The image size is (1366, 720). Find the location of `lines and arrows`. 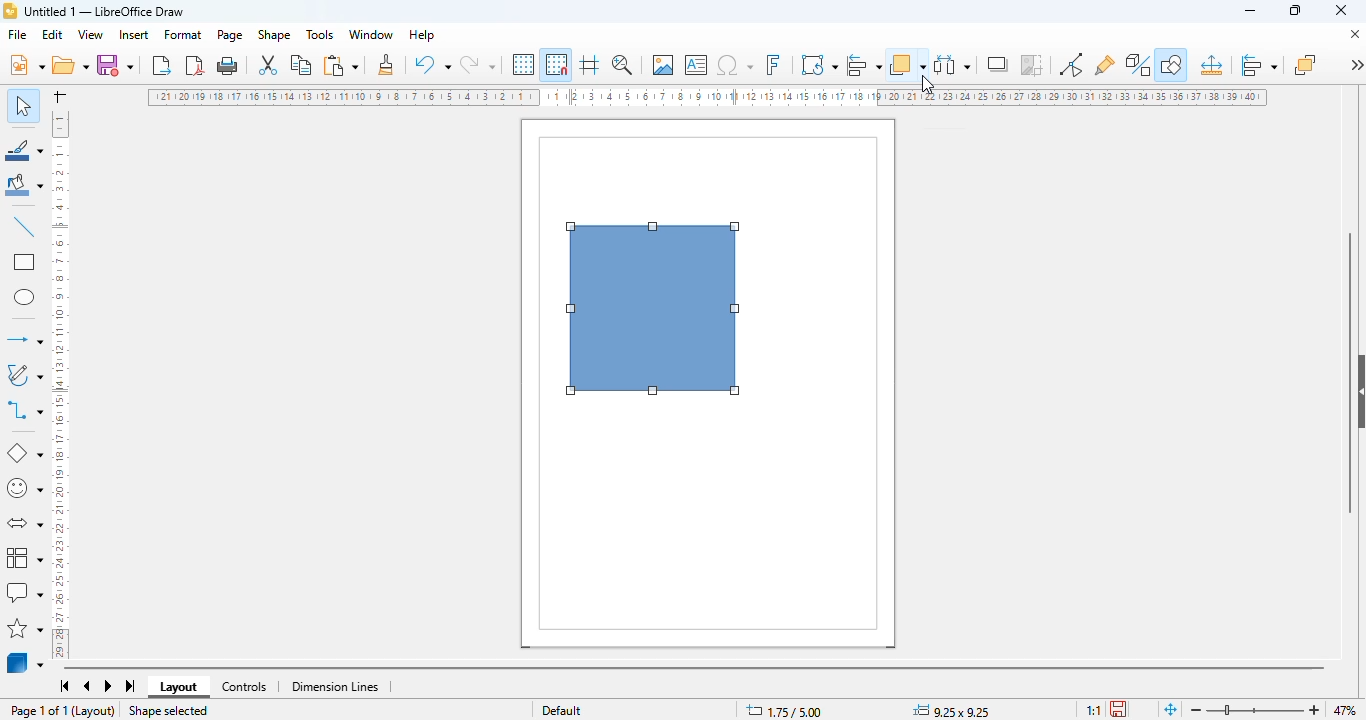

lines and arrows is located at coordinates (23, 339).